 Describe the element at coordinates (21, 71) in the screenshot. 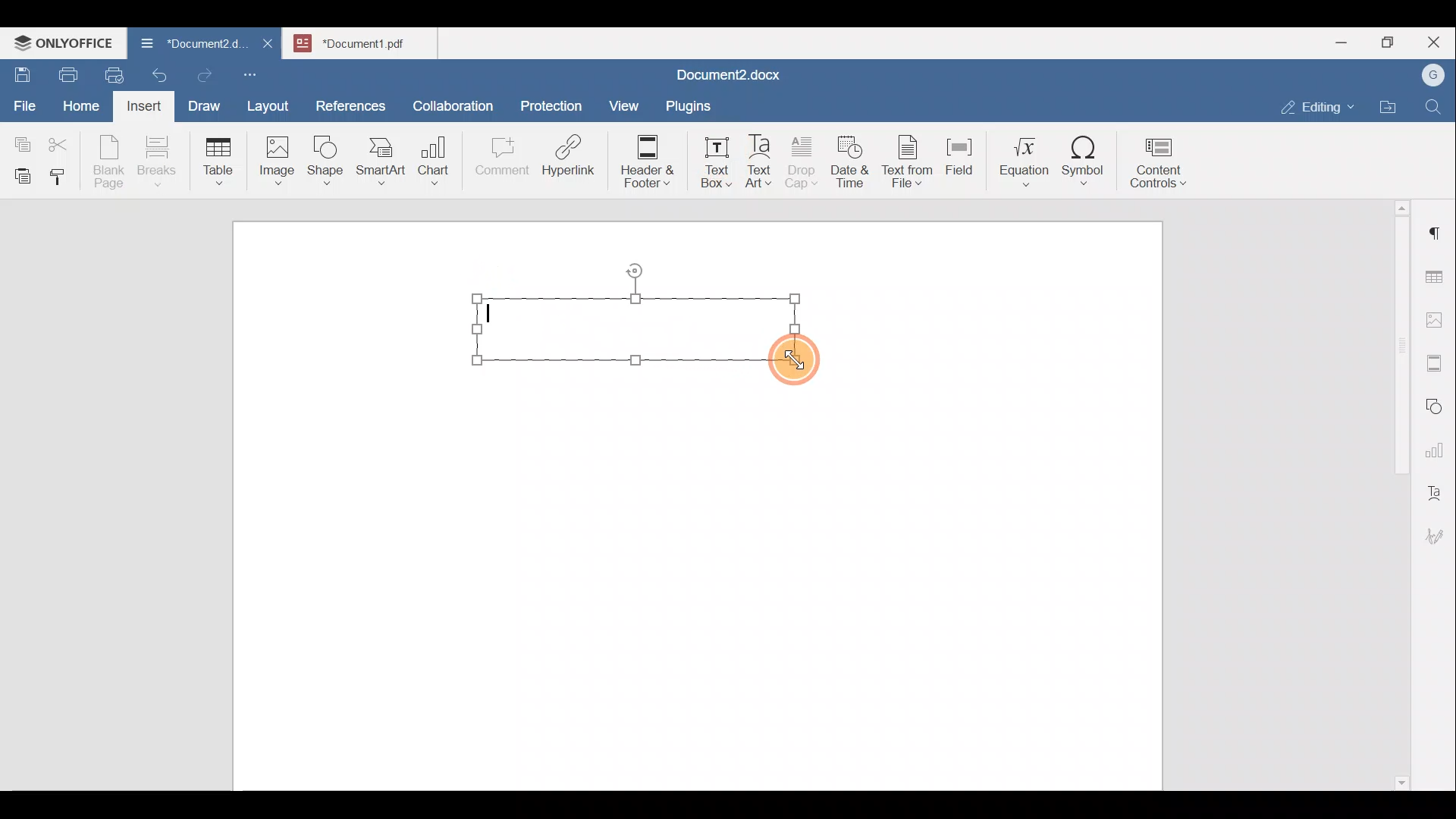

I see `Save` at that location.